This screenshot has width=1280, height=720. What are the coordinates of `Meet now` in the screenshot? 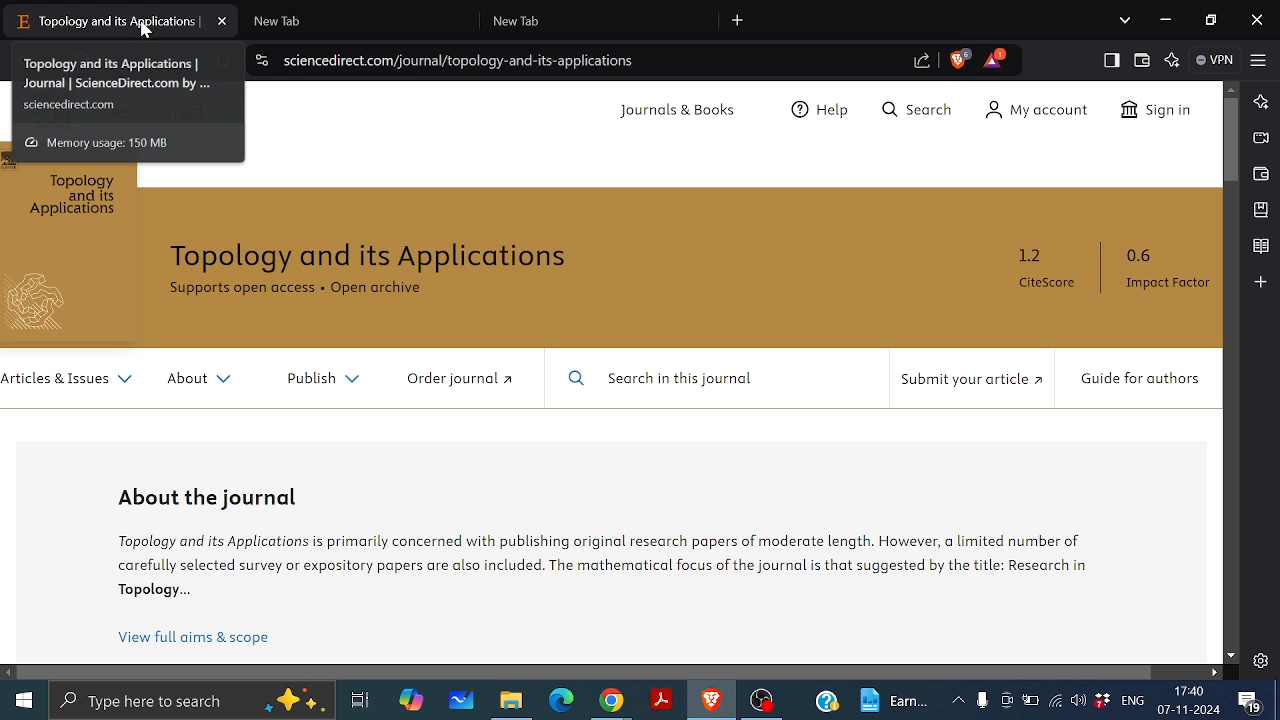 It's located at (1006, 700).